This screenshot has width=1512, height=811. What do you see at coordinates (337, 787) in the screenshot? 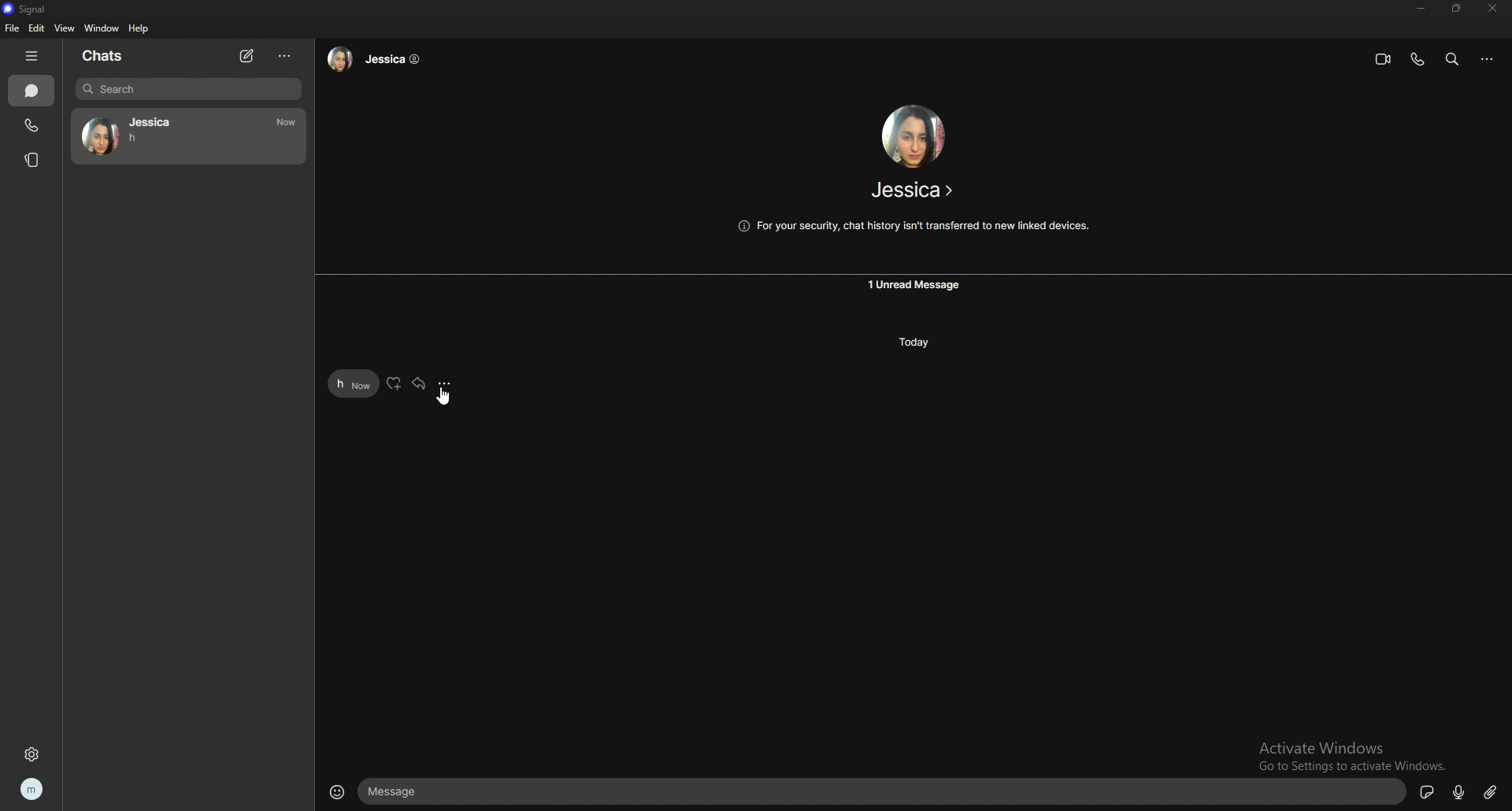
I see `emoji` at bounding box center [337, 787].